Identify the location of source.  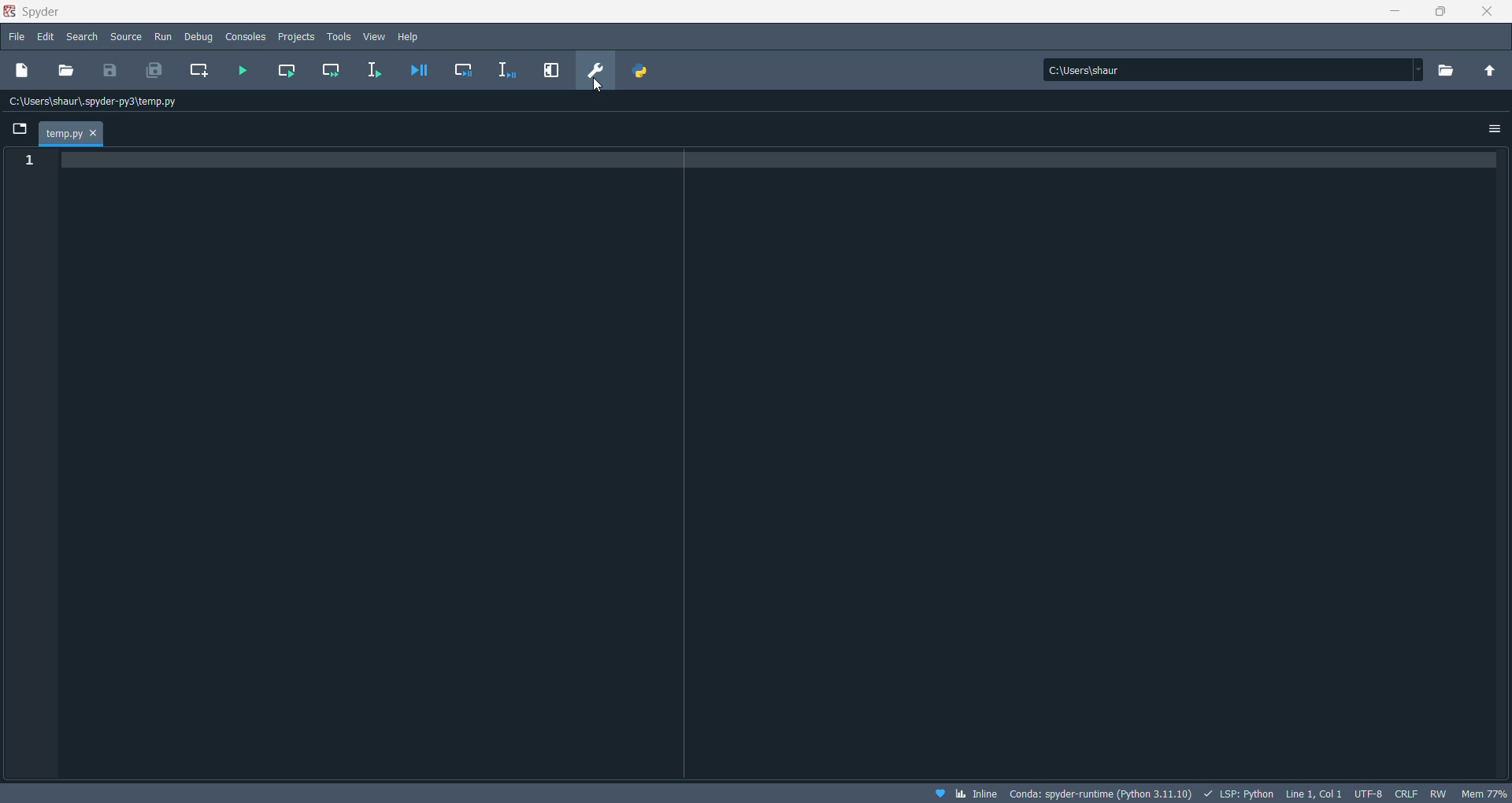
(127, 39).